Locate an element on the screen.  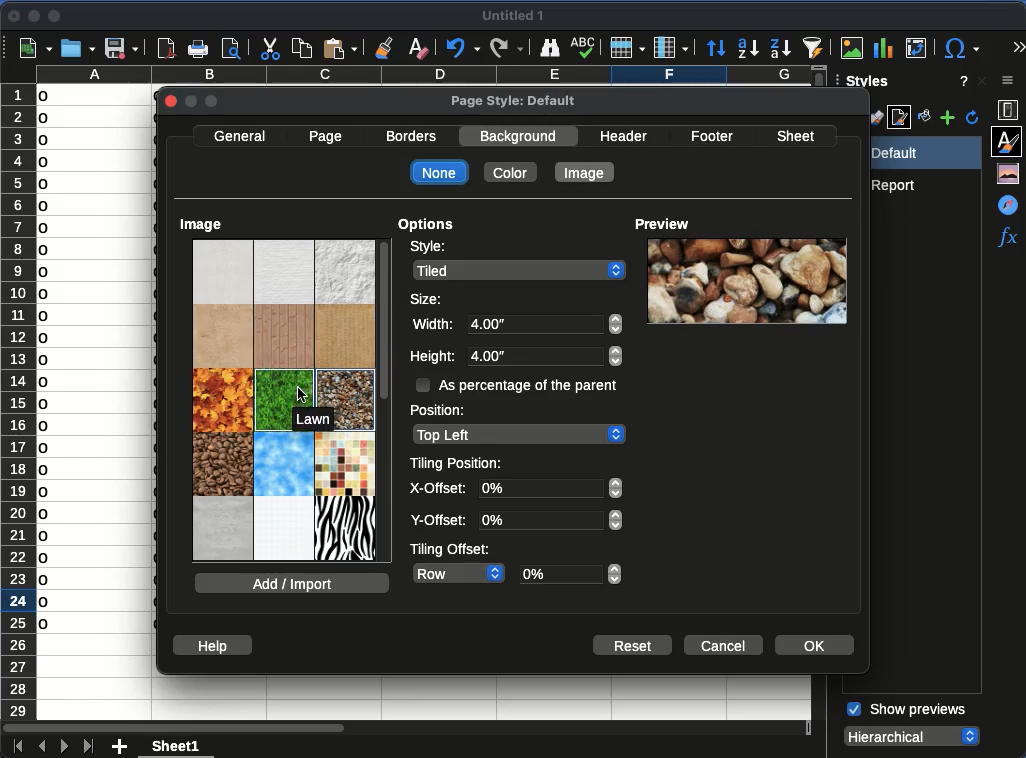
row is located at coordinates (459, 572).